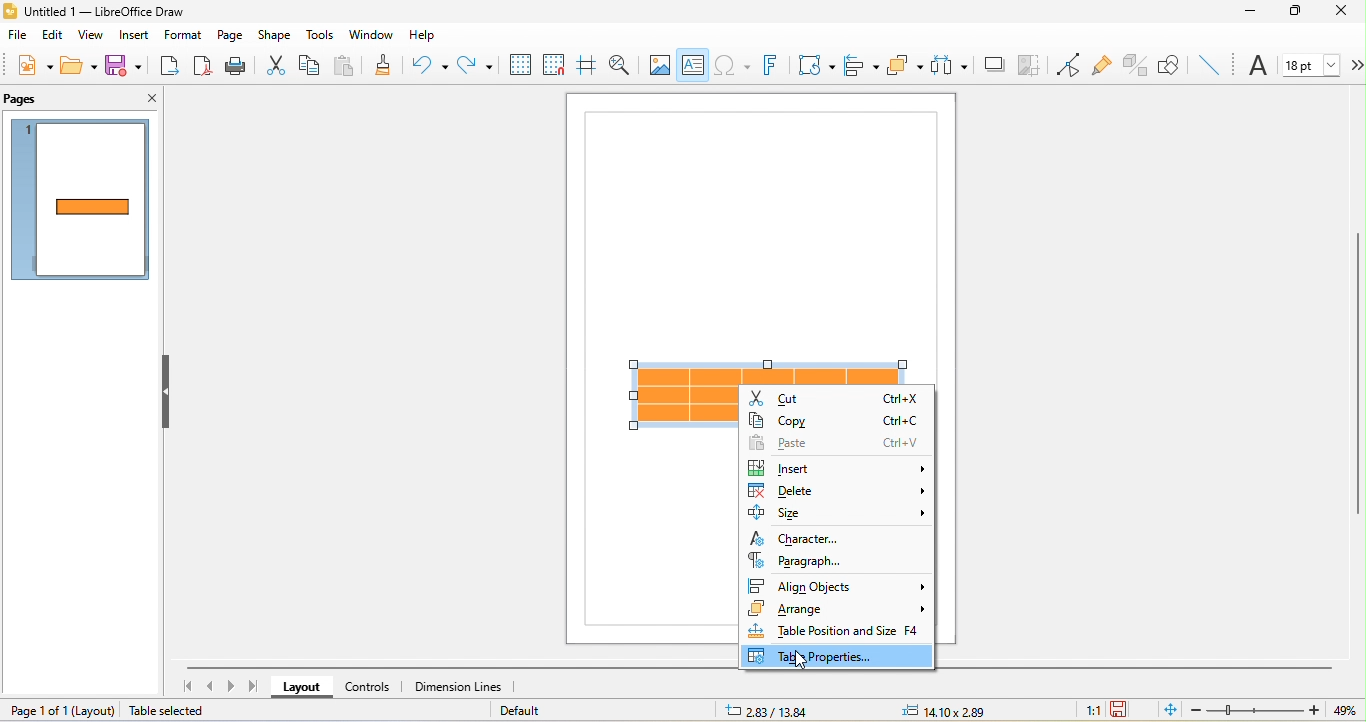 This screenshot has height=722, width=1366. What do you see at coordinates (835, 465) in the screenshot?
I see `insert` at bounding box center [835, 465].